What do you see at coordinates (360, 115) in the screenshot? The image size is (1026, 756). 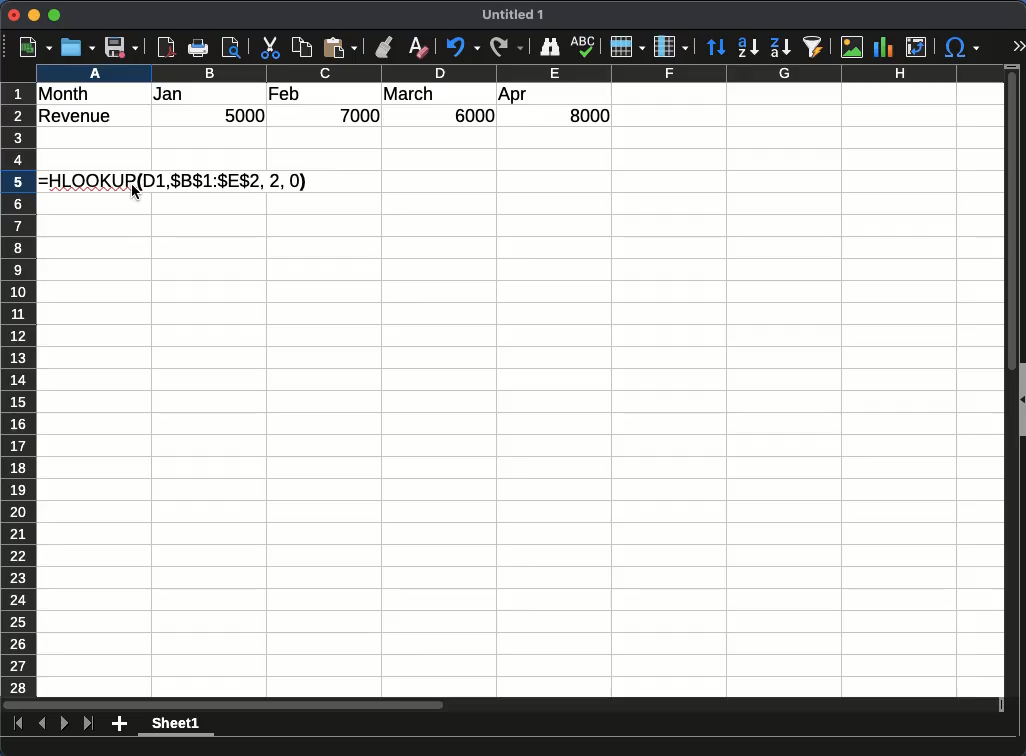 I see `7000` at bounding box center [360, 115].